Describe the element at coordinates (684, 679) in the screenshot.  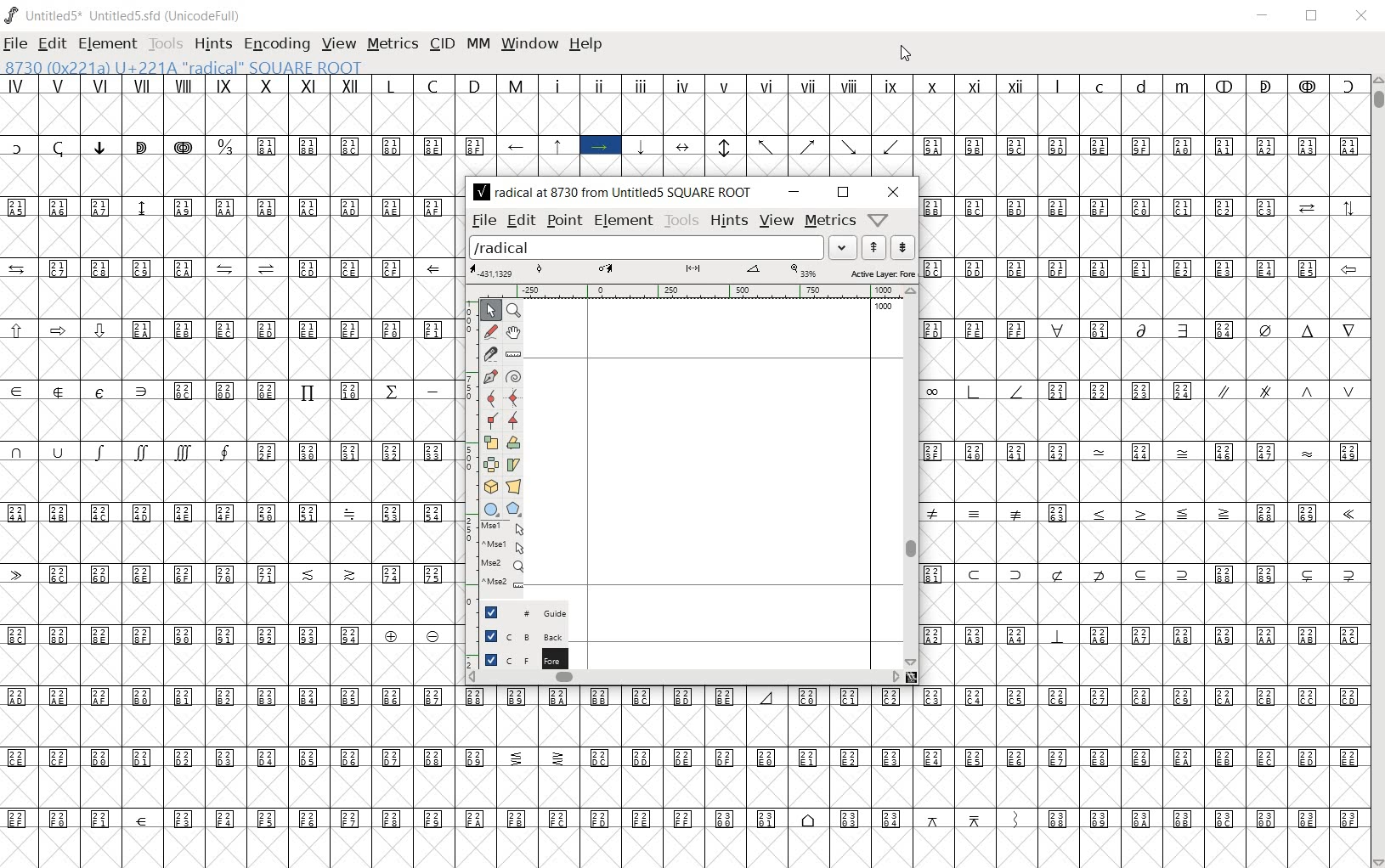
I see `scrollbar` at that location.